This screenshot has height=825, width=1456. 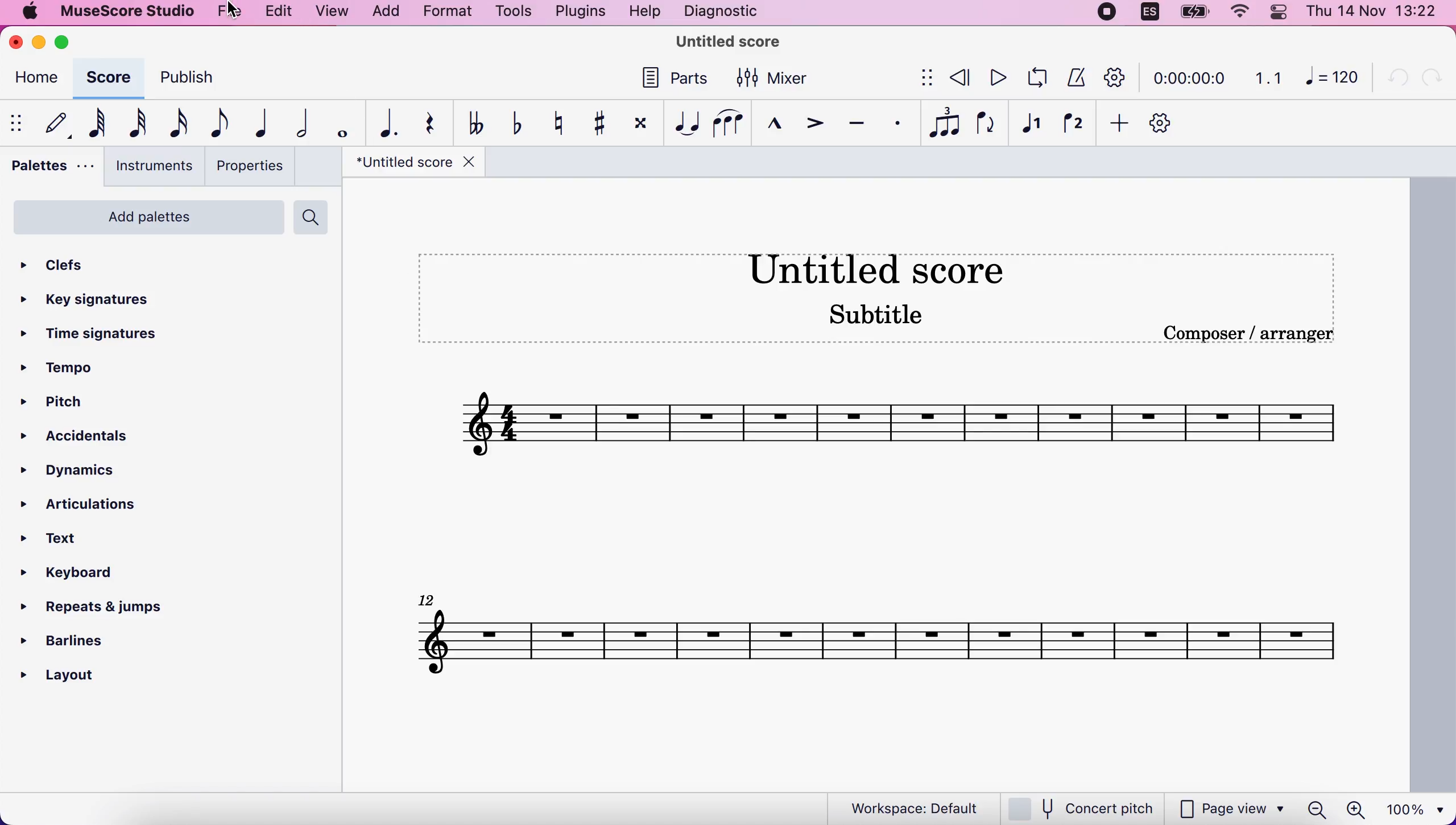 I want to click on staccato, so click(x=895, y=125).